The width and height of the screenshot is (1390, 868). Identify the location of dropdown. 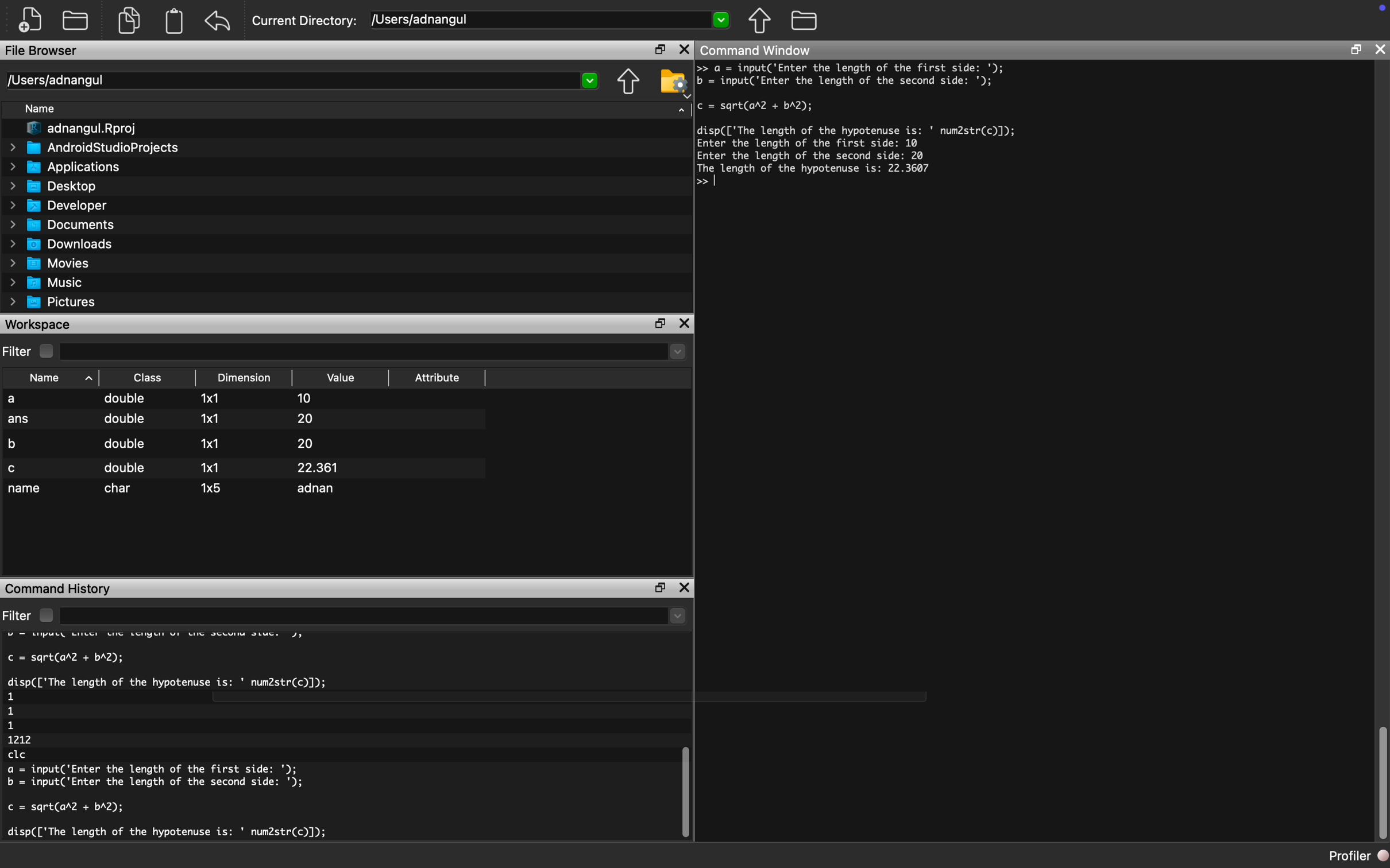
(682, 108).